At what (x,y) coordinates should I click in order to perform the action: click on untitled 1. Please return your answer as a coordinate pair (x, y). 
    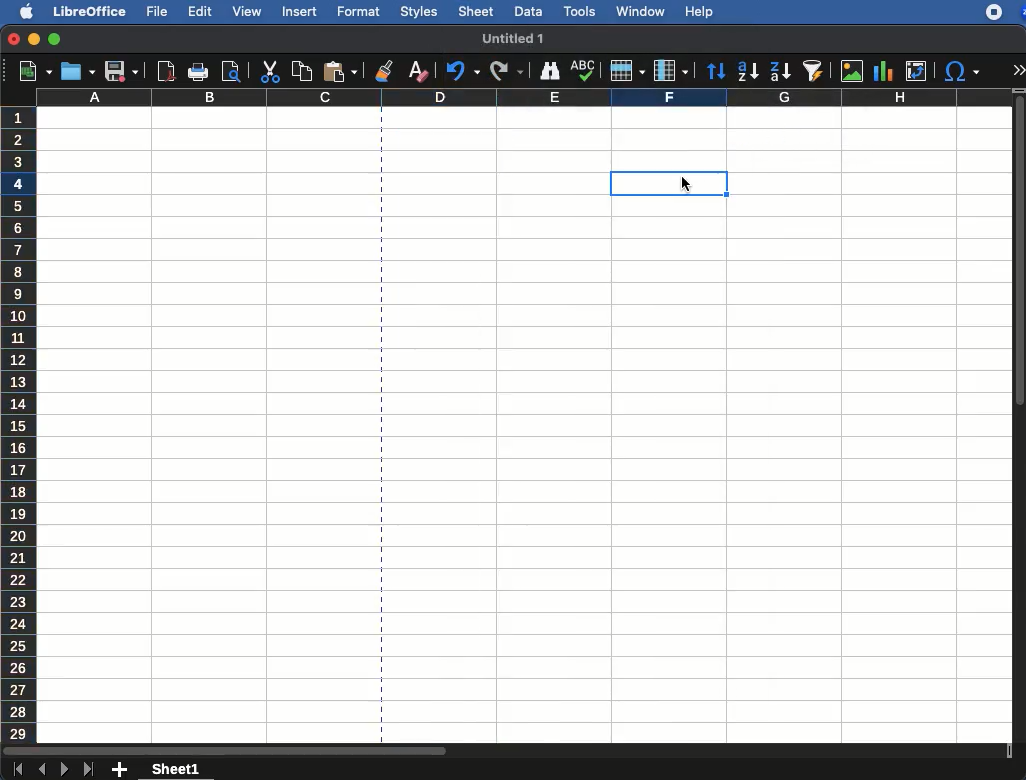
    Looking at the image, I should click on (512, 37).